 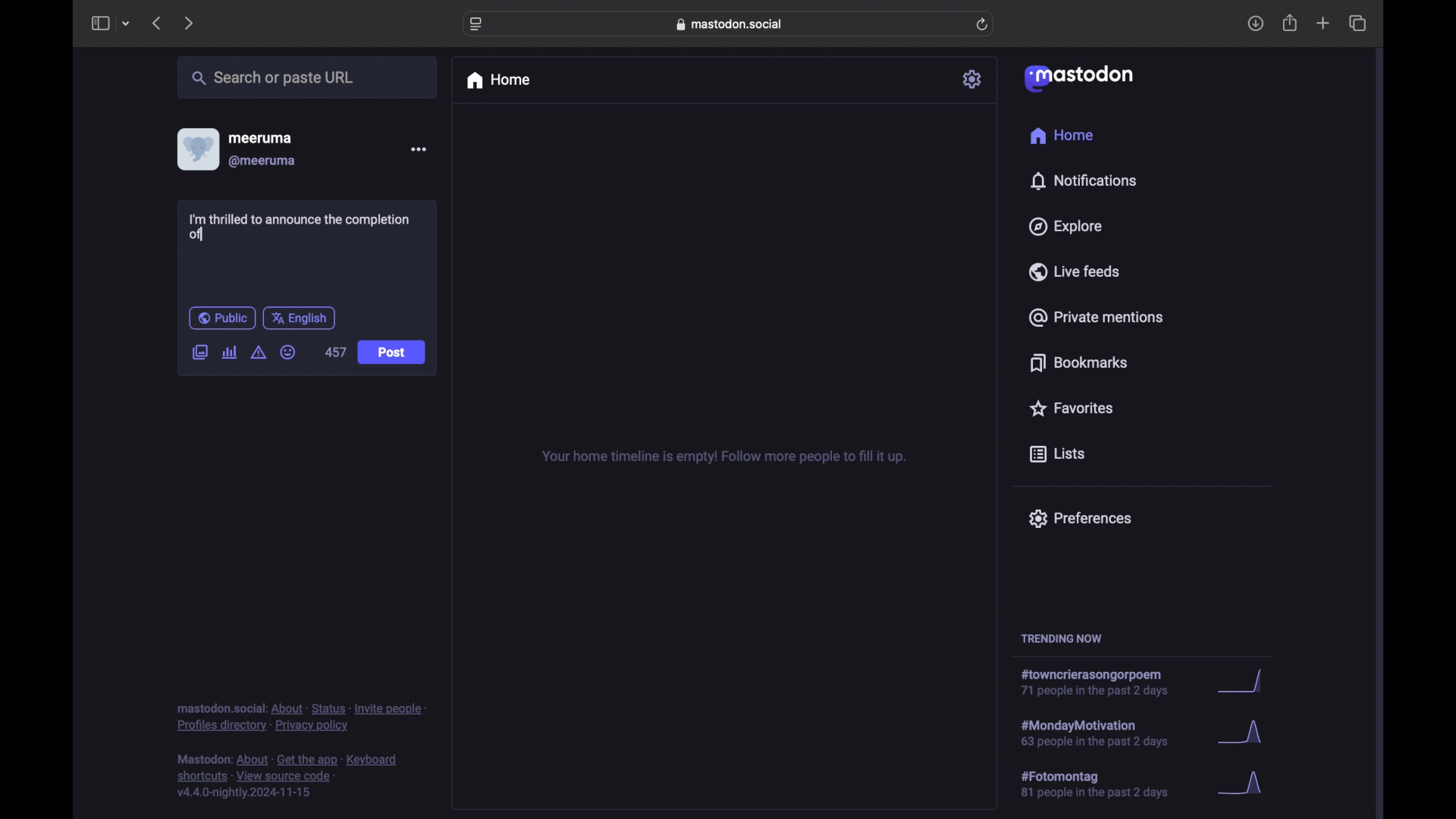 What do you see at coordinates (1359, 23) in the screenshot?
I see `show tab overview` at bounding box center [1359, 23].